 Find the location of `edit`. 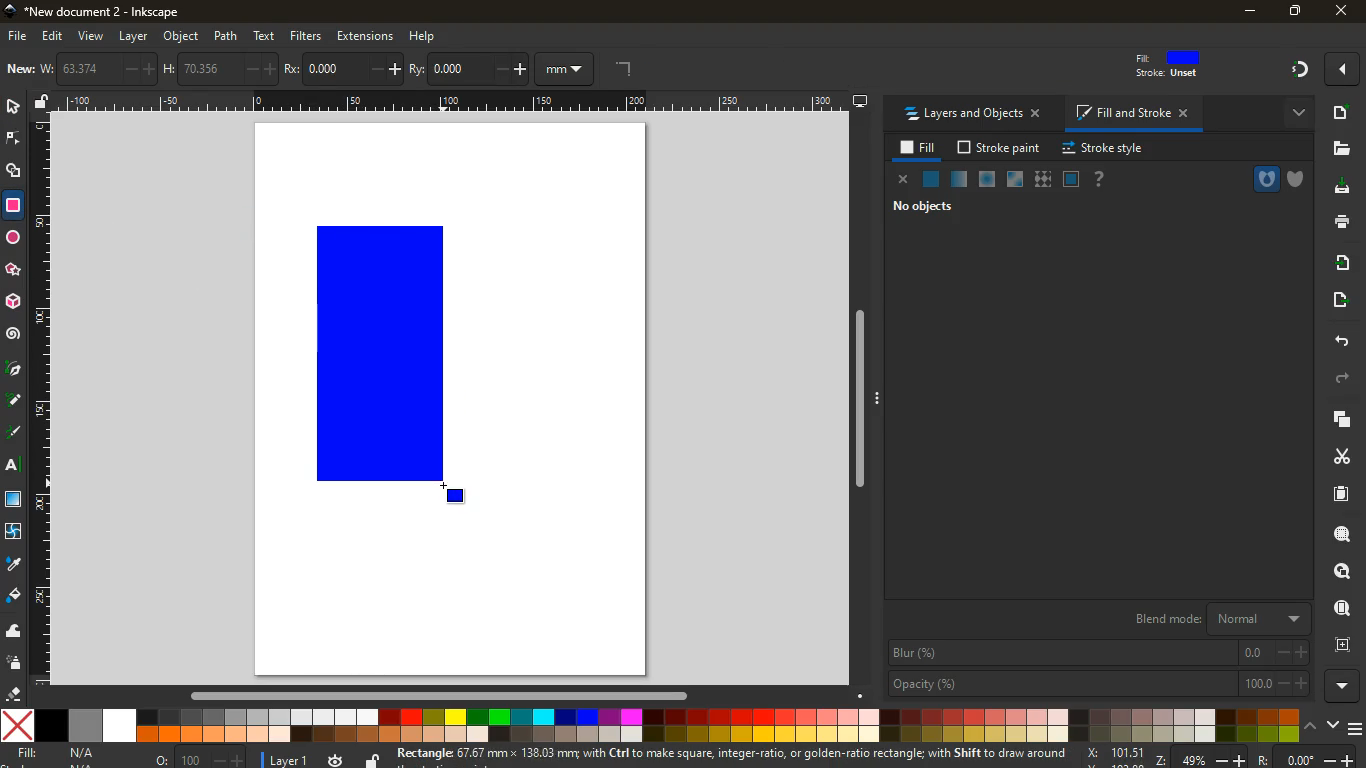

edit is located at coordinates (55, 37).